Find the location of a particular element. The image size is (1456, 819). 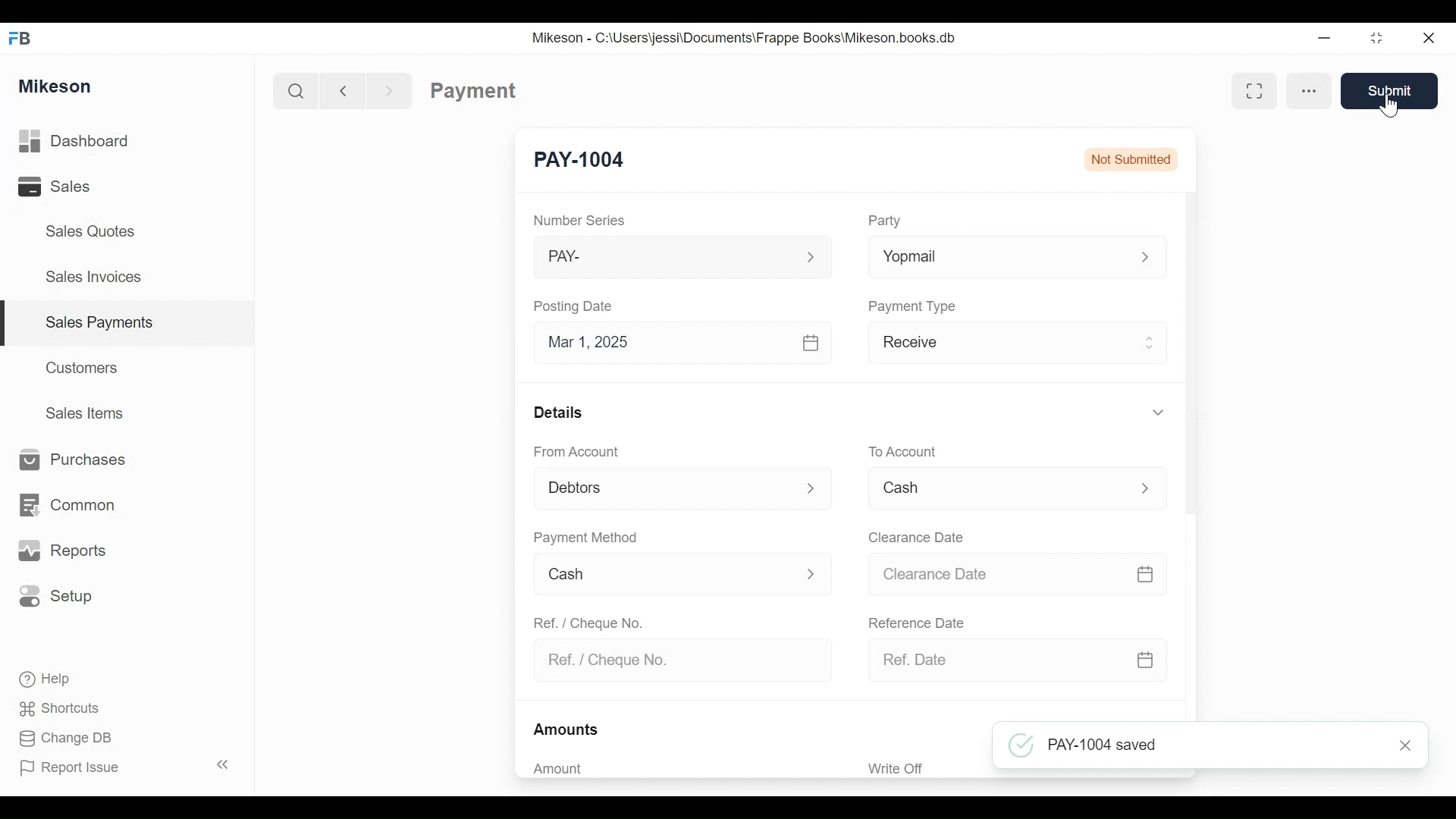

Cash is located at coordinates (682, 573).